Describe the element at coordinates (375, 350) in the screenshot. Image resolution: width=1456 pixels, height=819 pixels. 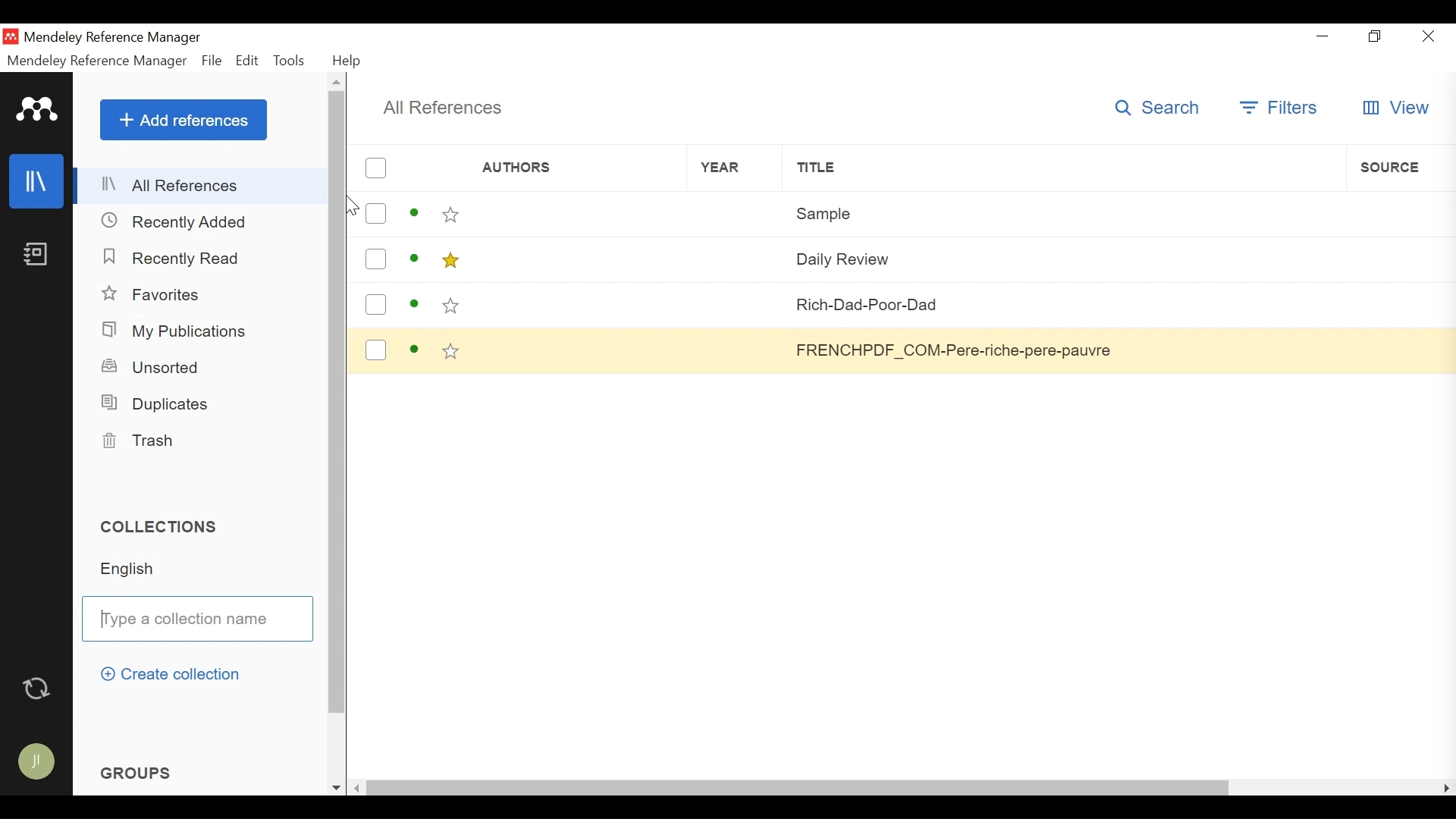
I see `(un)select` at that location.